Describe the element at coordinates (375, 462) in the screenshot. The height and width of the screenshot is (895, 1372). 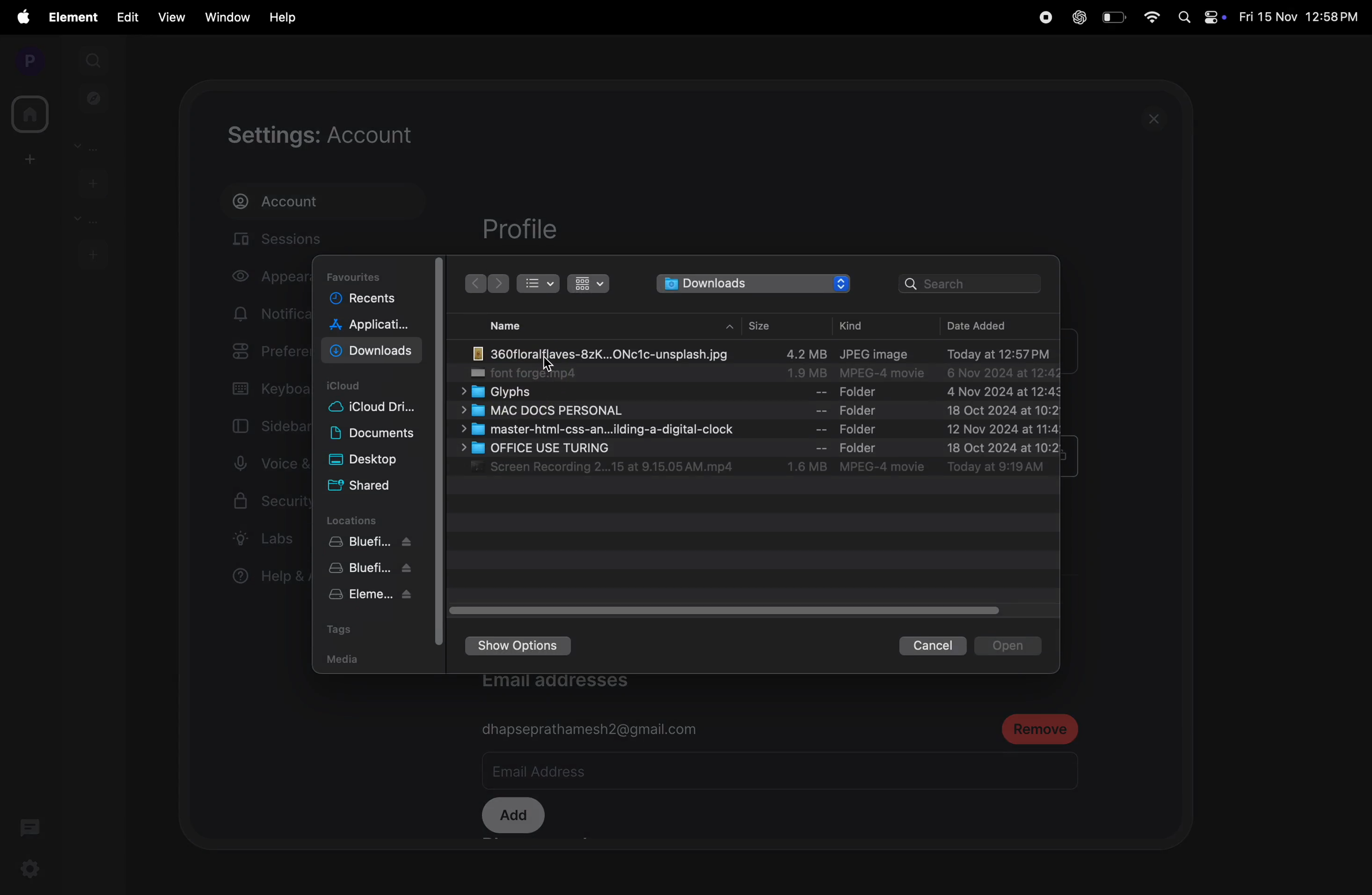
I see `Desktop` at that location.